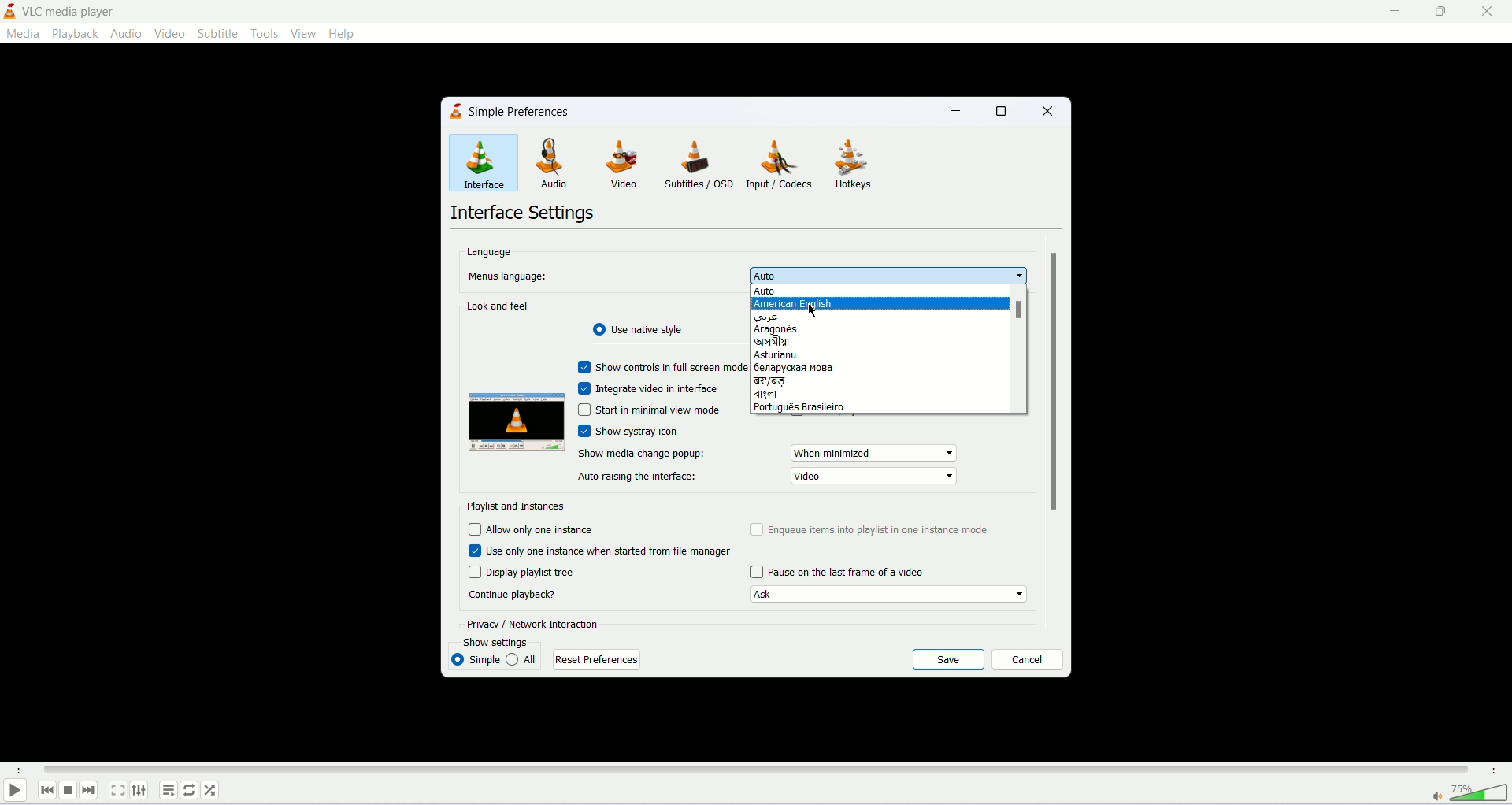 The height and width of the screenshot is (805, 1512). I want to click on start in minimal mode, so click(648, 410).